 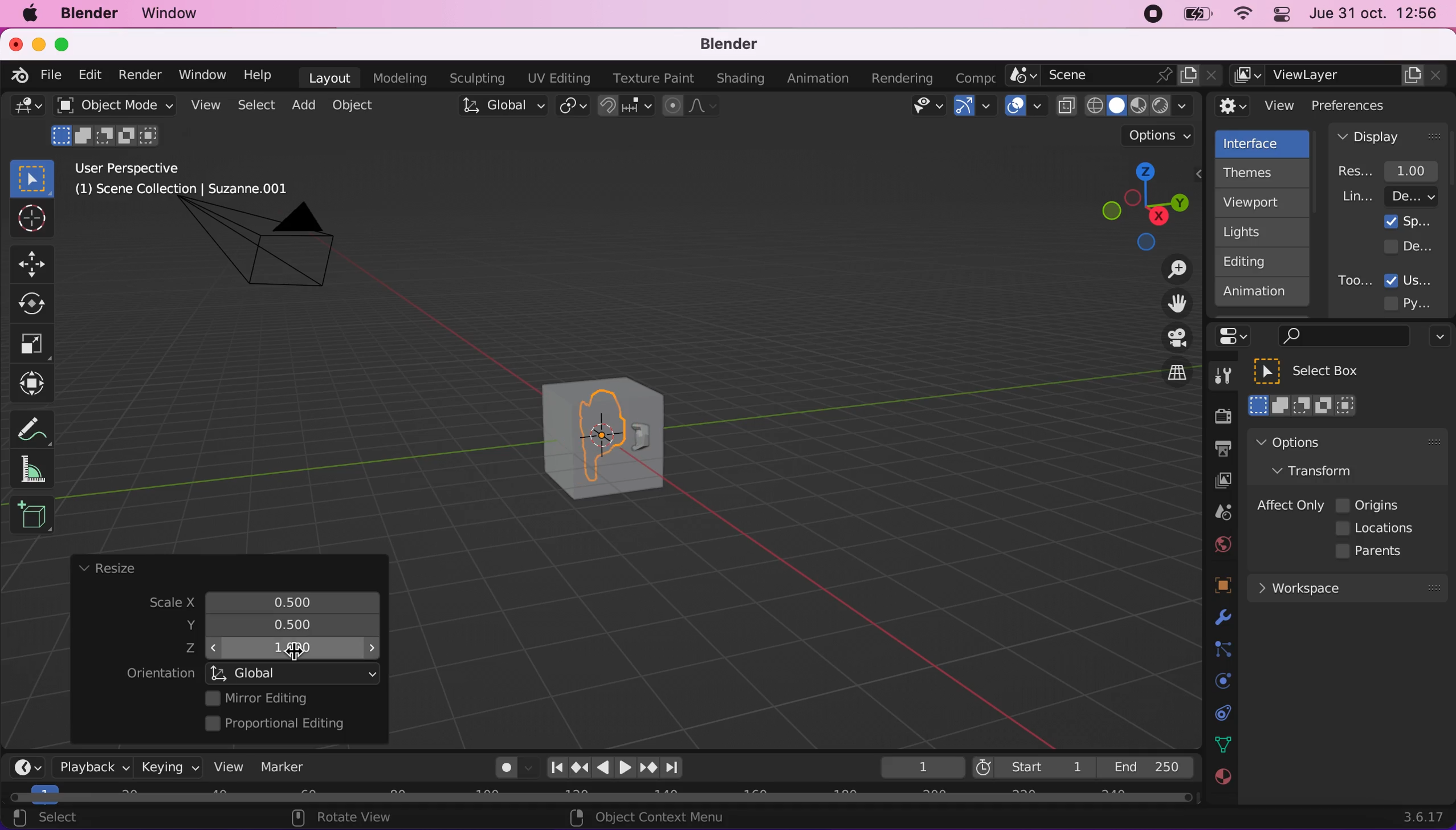 I want to click on developer extras, so click(x=1410, y=246).